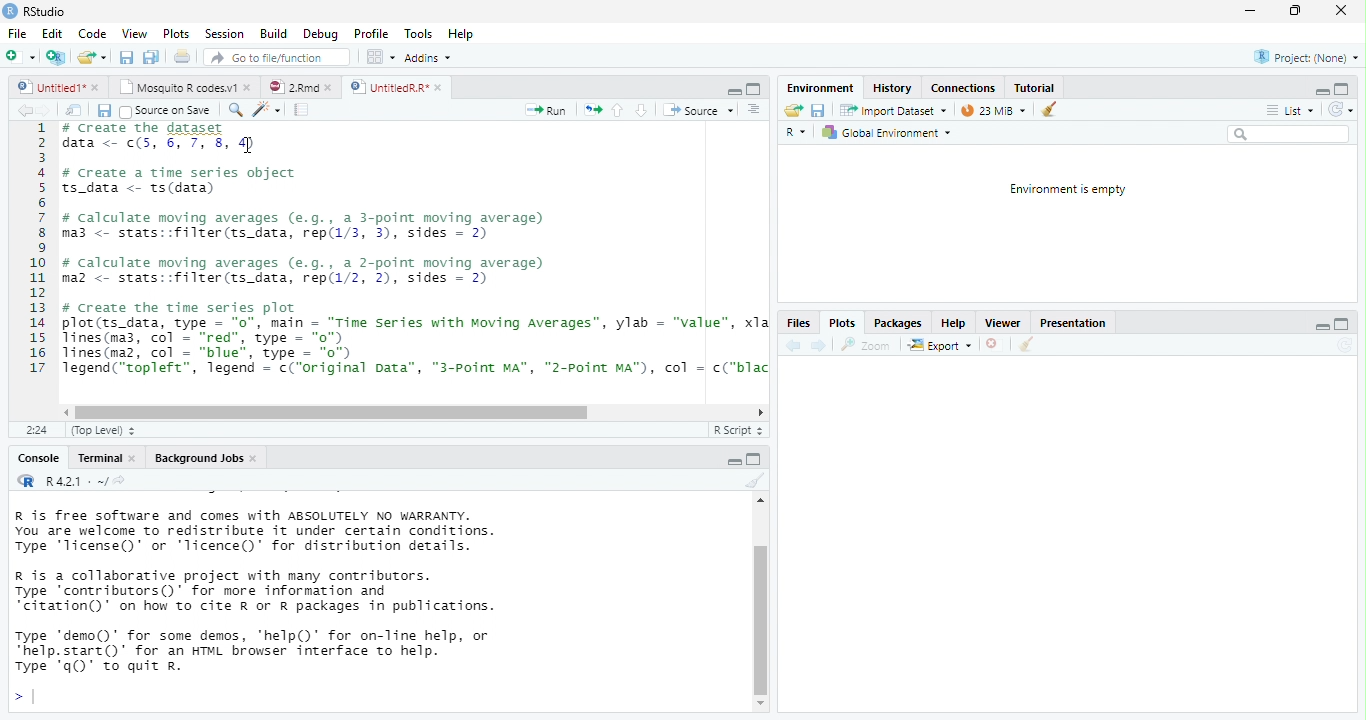  What do you see at coordinates (183, 56) in the screenshot?
I see `print current file` at bounding box center [183, 56].